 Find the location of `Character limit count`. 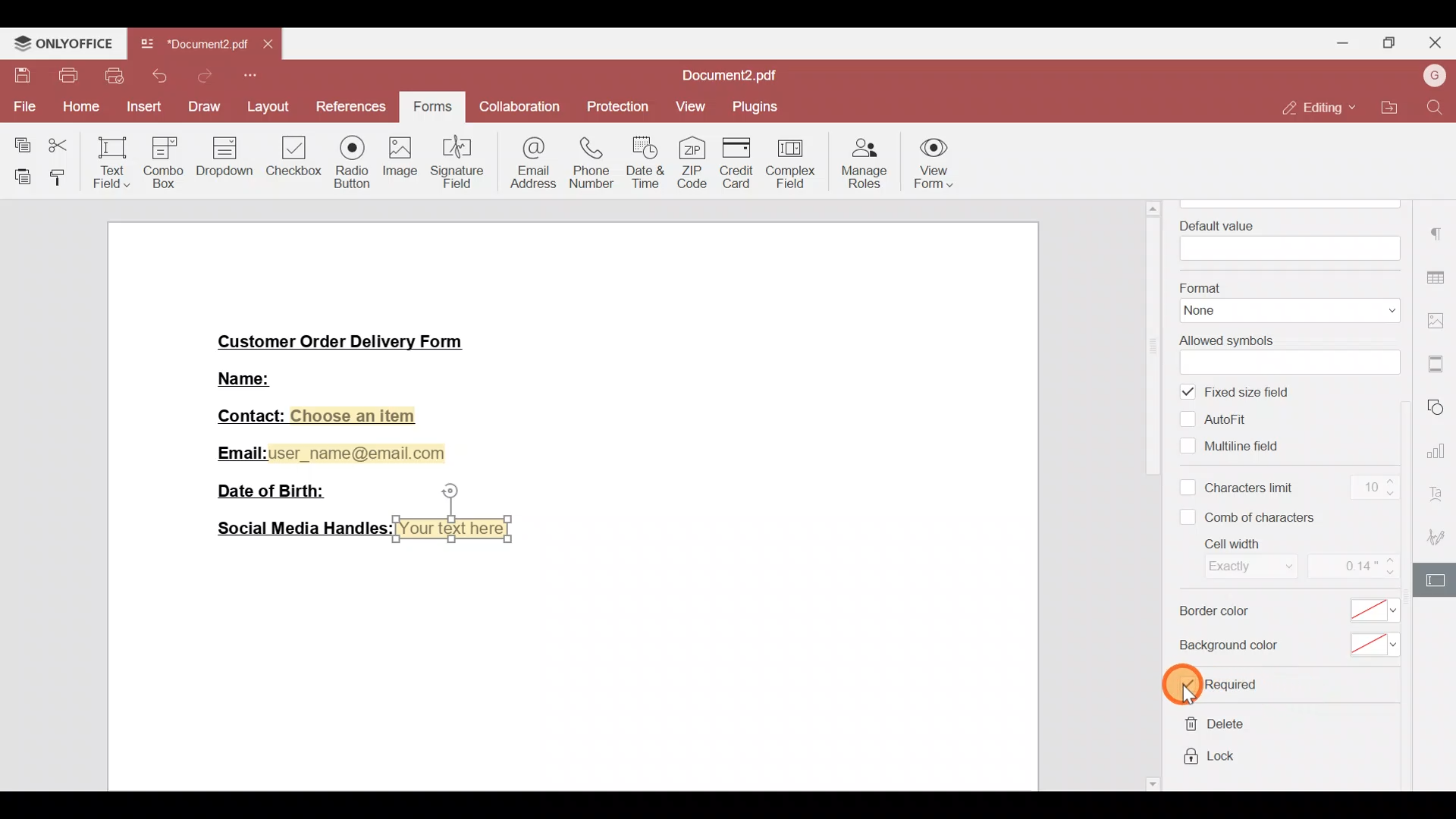

Character limit count is located at coordinates (1370, 489).